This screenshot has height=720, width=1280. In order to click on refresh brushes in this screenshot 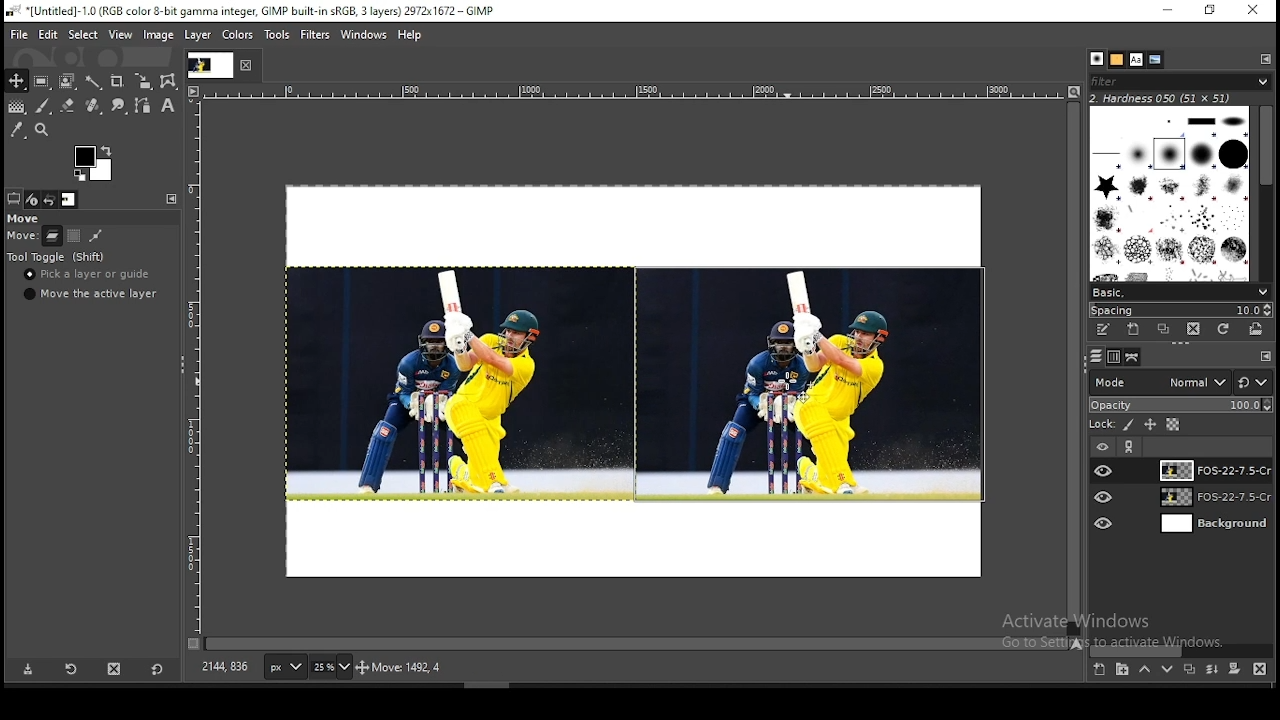, I will do `click(1225, 329)`.